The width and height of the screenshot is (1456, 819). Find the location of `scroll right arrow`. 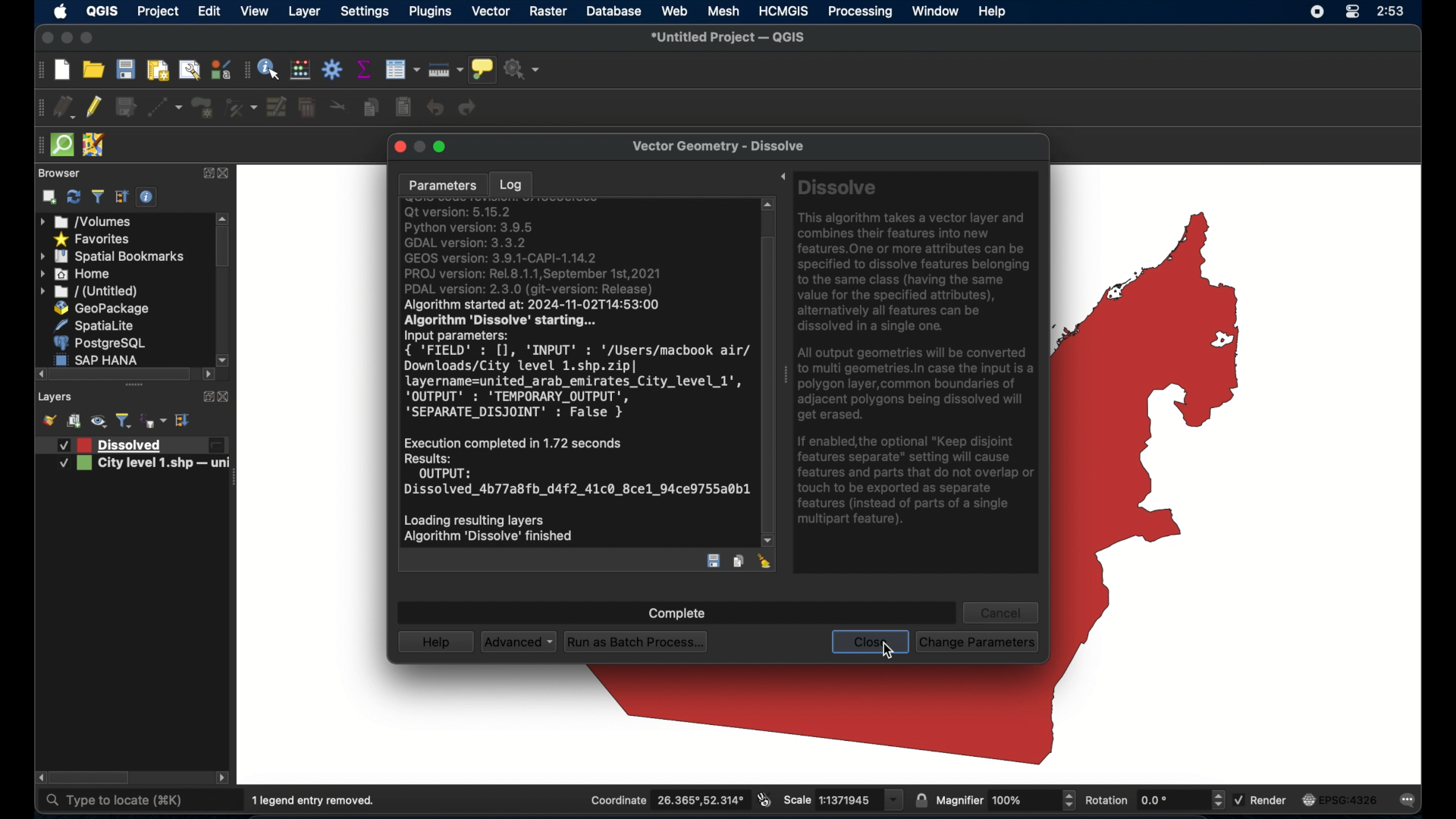

scroll right arrow is located at coordinates (209, 375).